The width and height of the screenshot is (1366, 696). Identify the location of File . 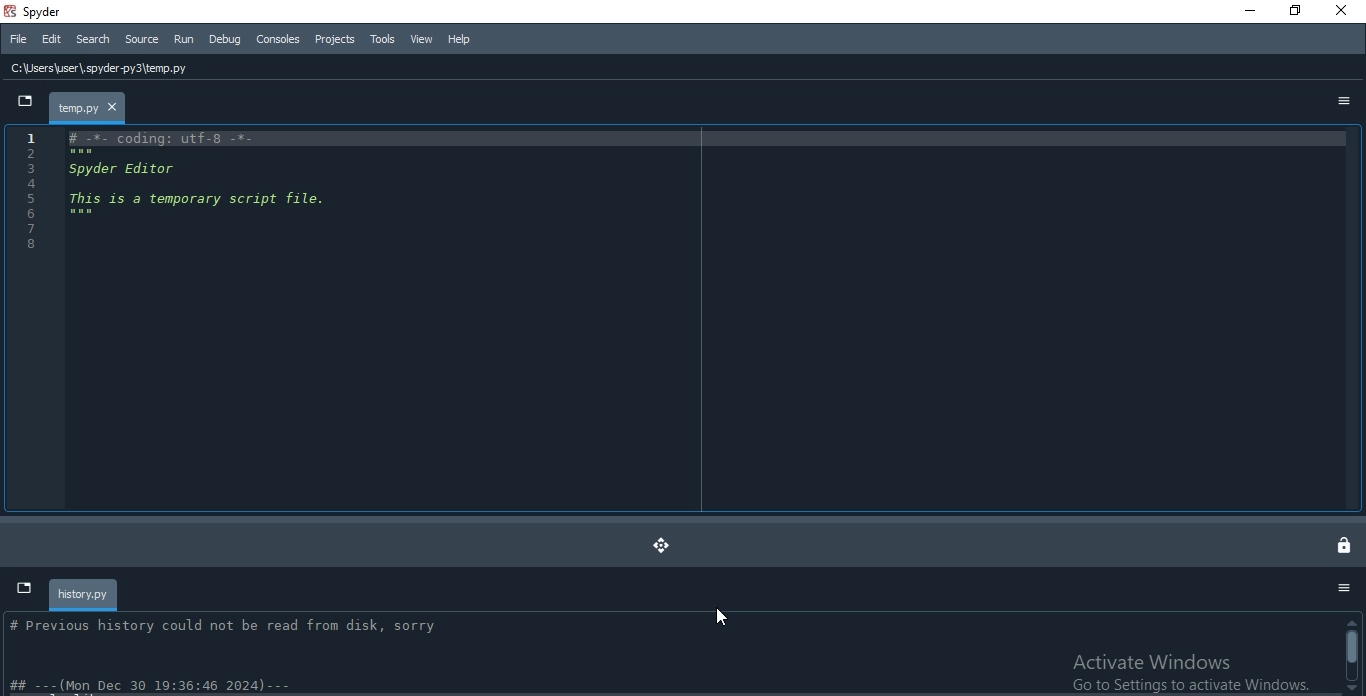
(18, 40).